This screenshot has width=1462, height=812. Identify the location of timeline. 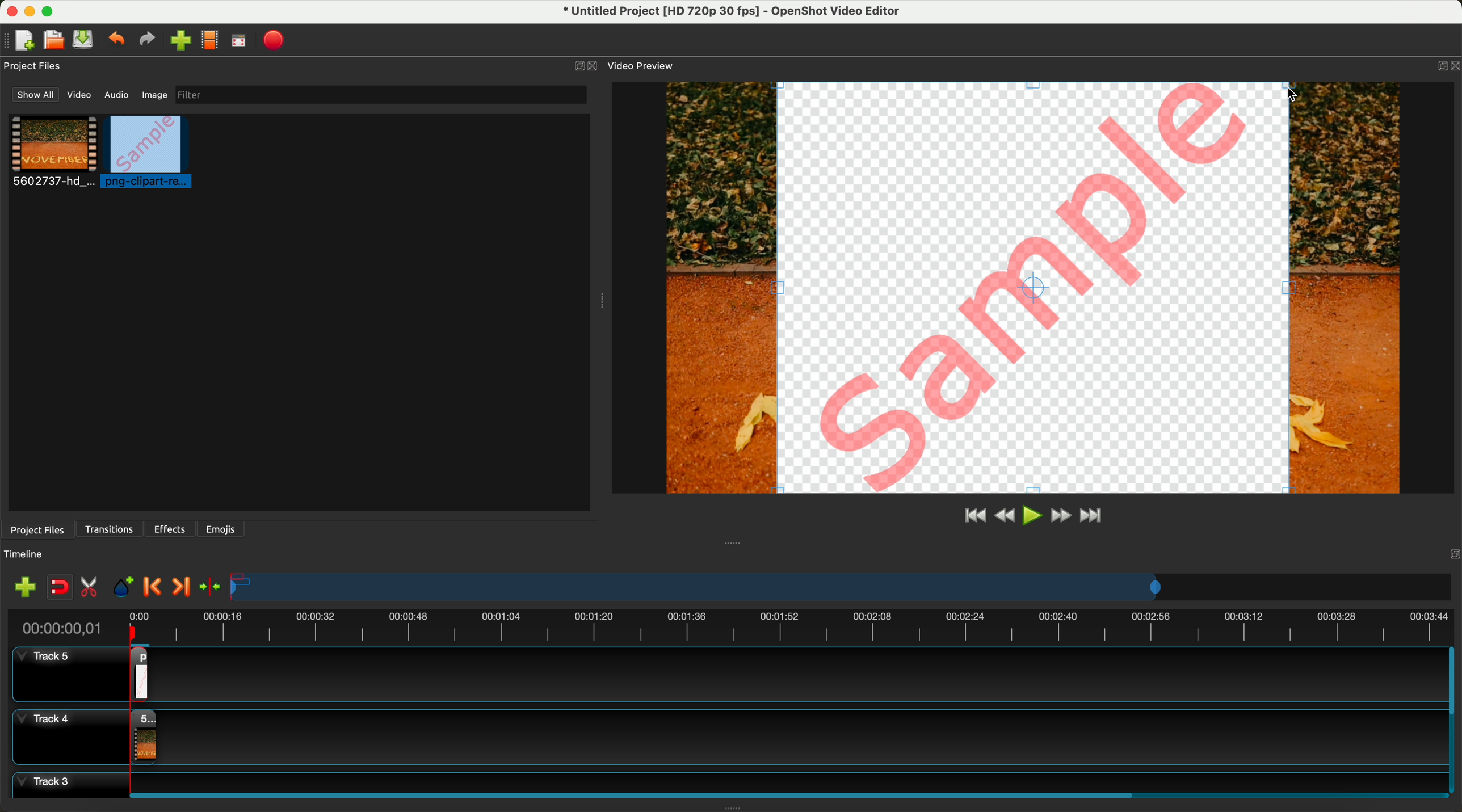
(30, 554).